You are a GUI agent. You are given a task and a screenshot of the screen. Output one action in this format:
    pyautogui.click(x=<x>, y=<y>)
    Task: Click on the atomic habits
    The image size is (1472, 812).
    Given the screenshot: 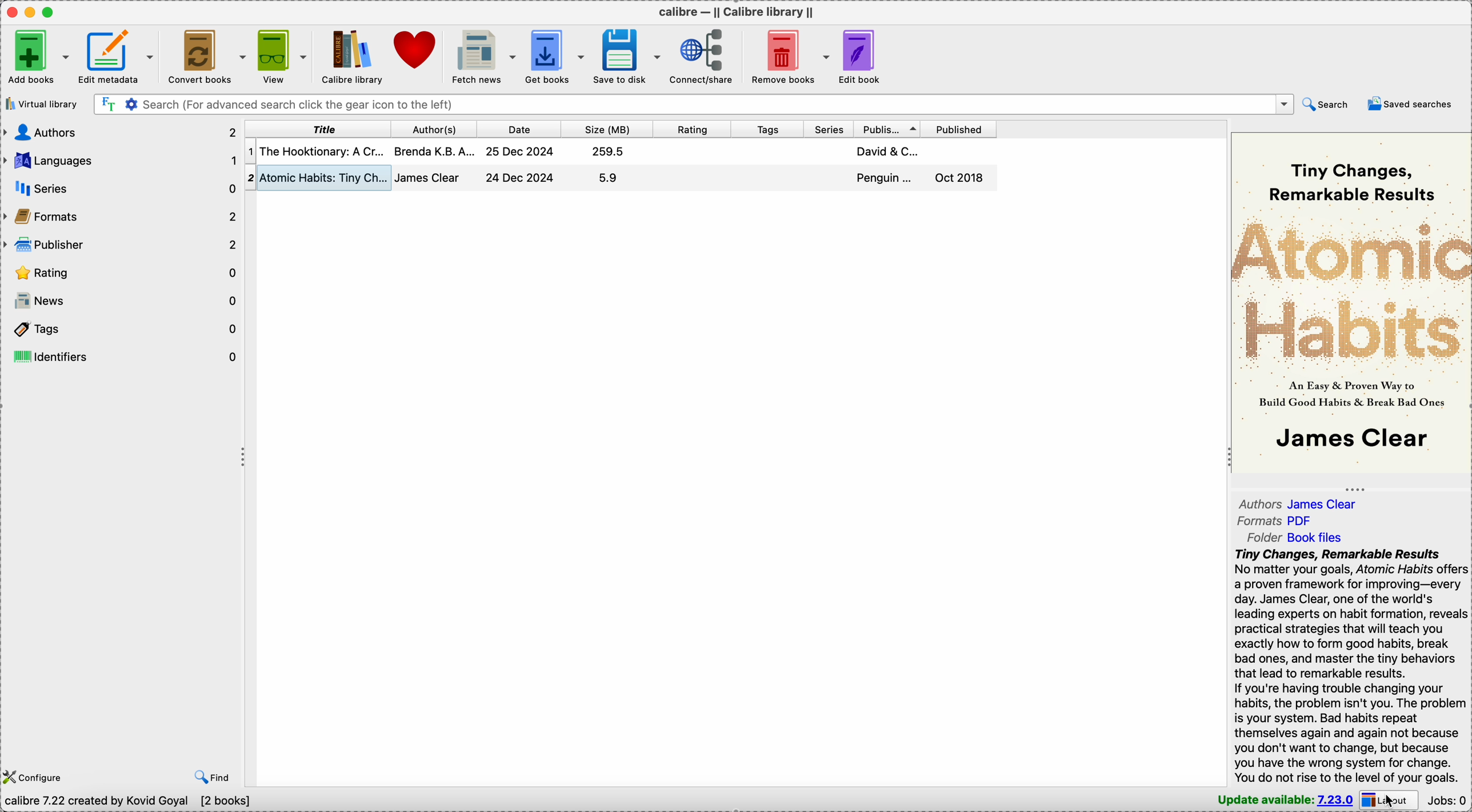 What is the action you would take?
    pyautogui.click(x=1352, y=291)
    